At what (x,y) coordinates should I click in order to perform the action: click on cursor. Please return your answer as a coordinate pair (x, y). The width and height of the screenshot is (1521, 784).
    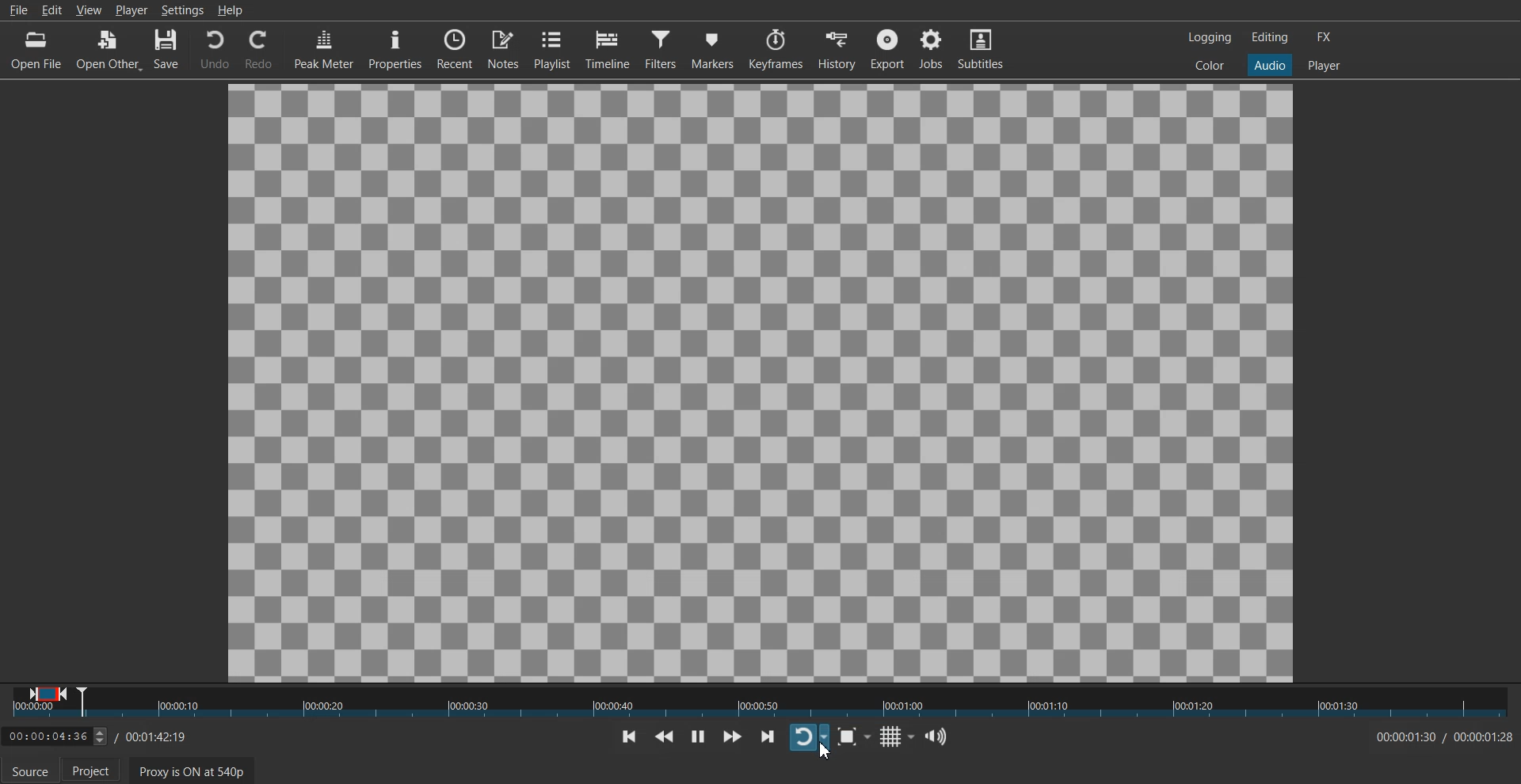
    Looking at the image, I should click on (822, 760).